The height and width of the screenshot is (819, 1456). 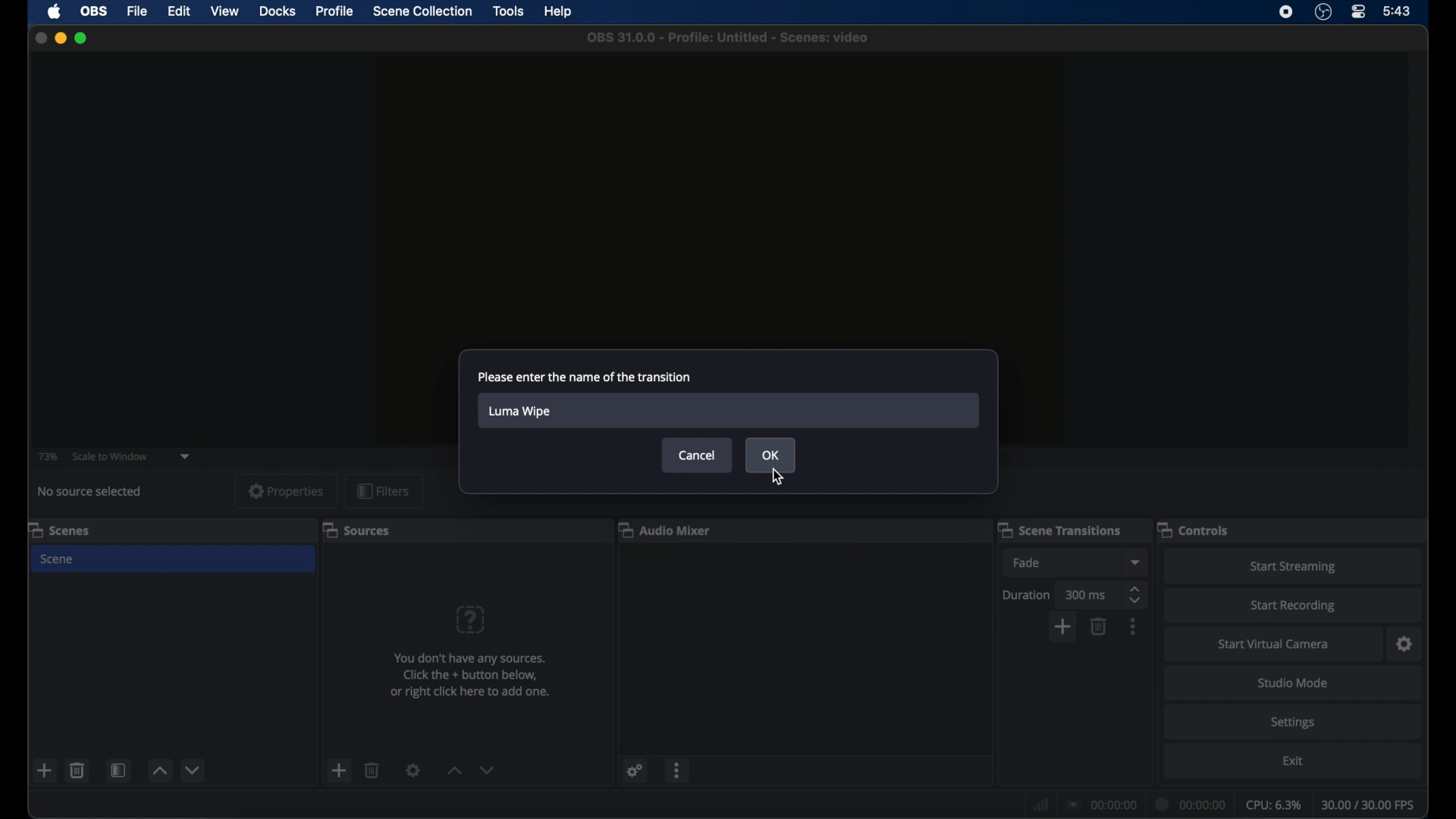 I want to click on control center, so click(x=1359, y=11).